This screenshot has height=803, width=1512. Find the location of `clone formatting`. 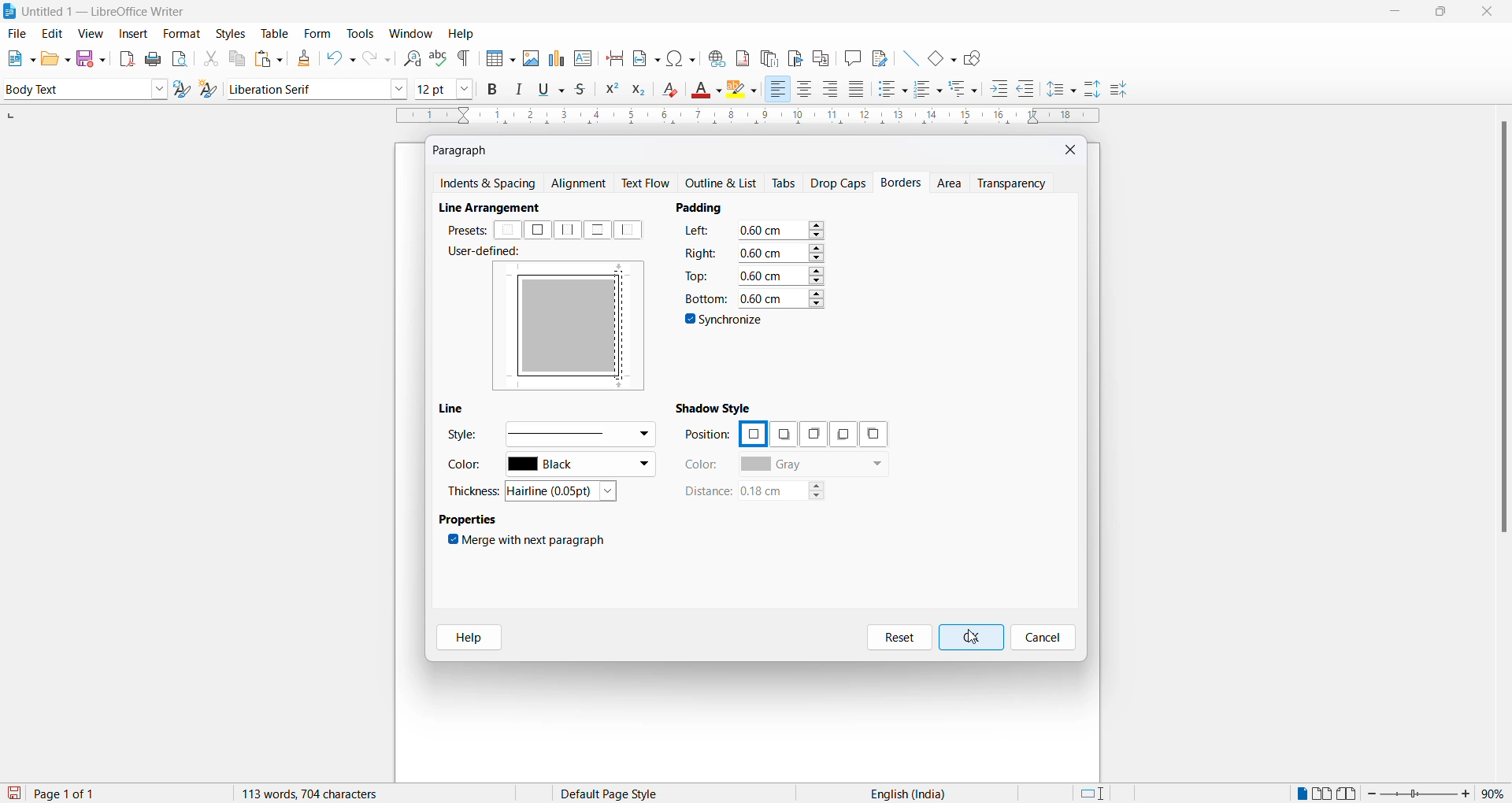

clone formatting is located at coordinates (301, 58).